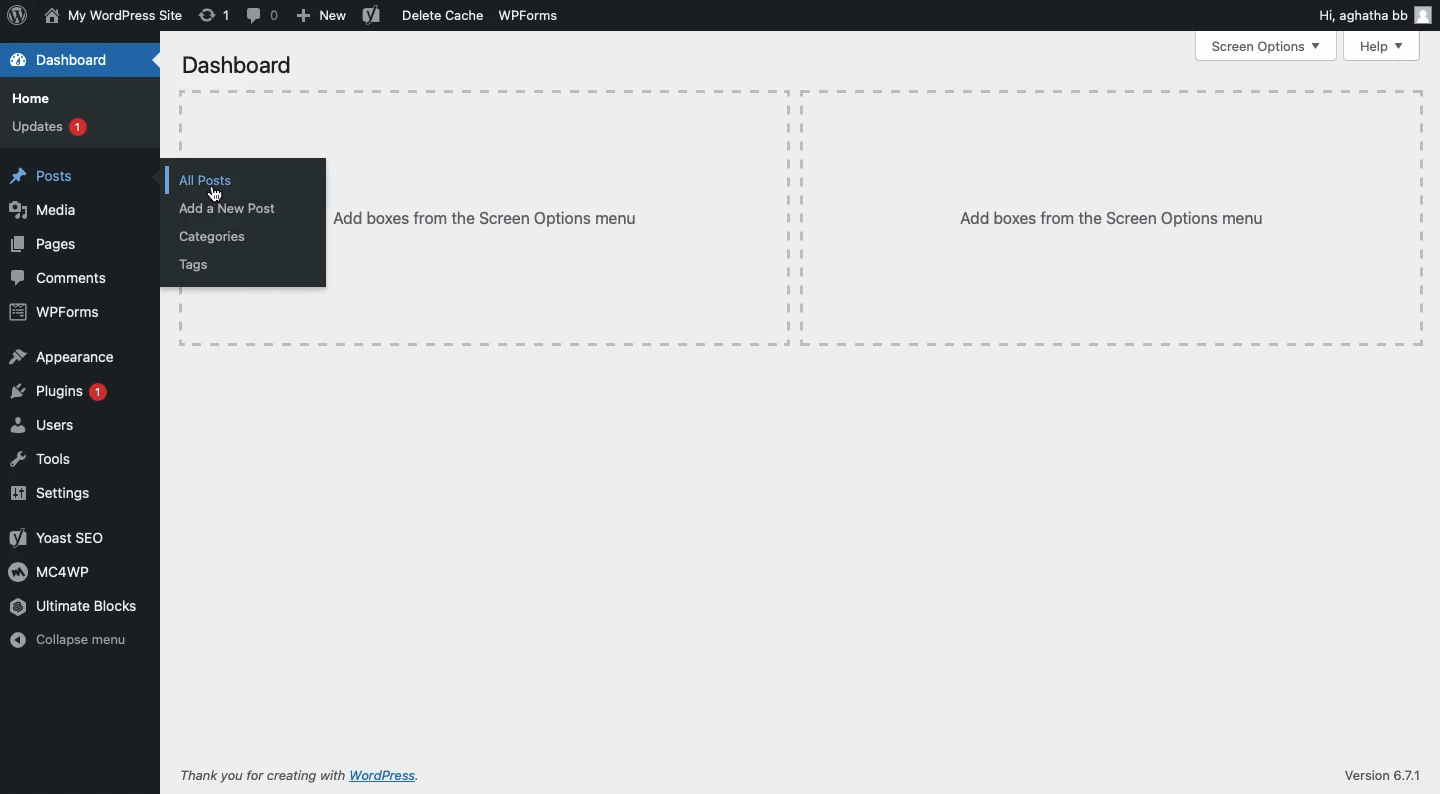  I want to click on Dashboard, so click(238, 63).